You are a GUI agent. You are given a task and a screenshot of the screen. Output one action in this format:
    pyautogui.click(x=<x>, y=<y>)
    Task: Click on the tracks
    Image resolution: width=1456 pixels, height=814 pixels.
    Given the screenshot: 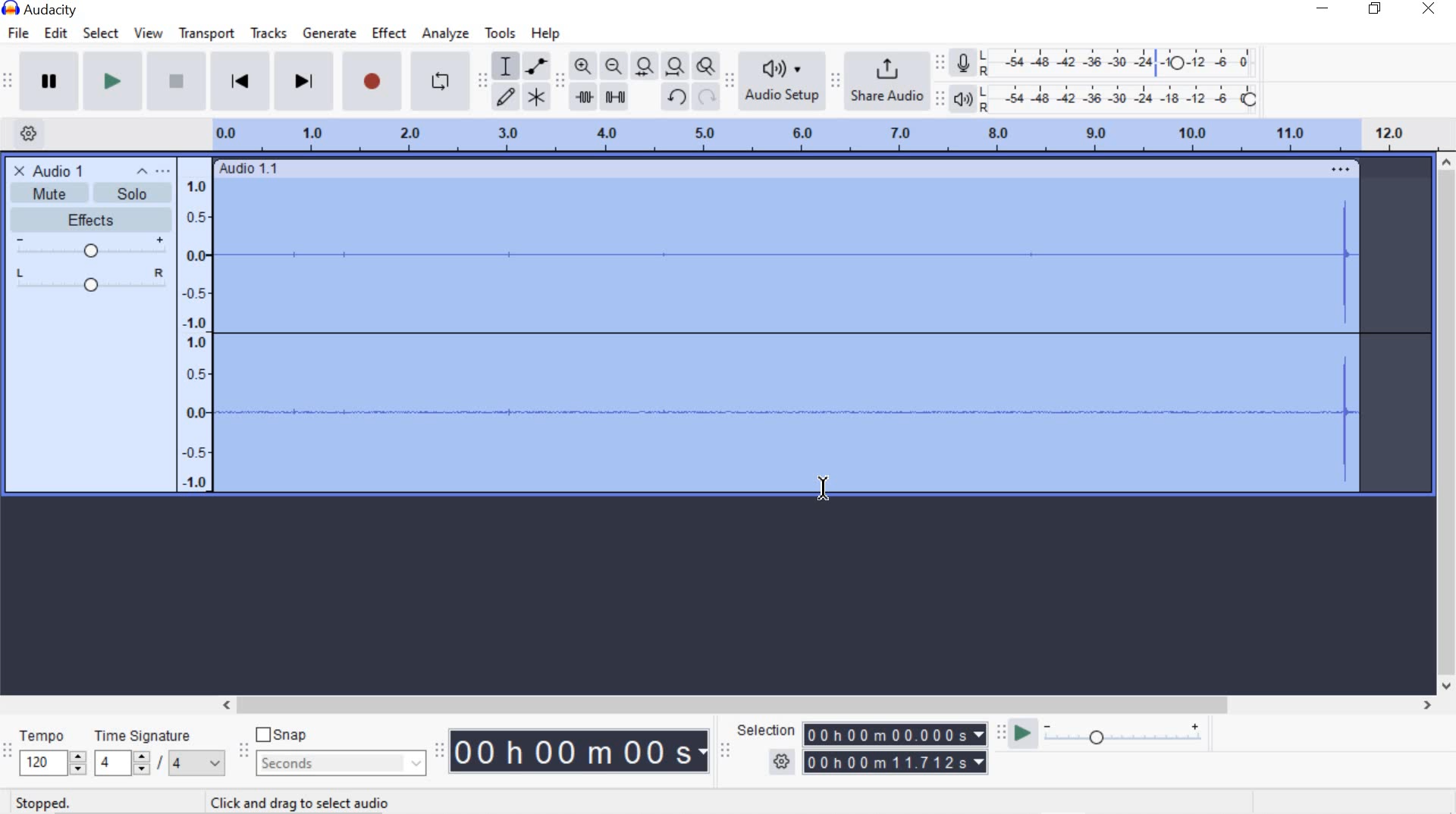 What is the action you would take?
    pyautogui.click(x=268, y=35)
    